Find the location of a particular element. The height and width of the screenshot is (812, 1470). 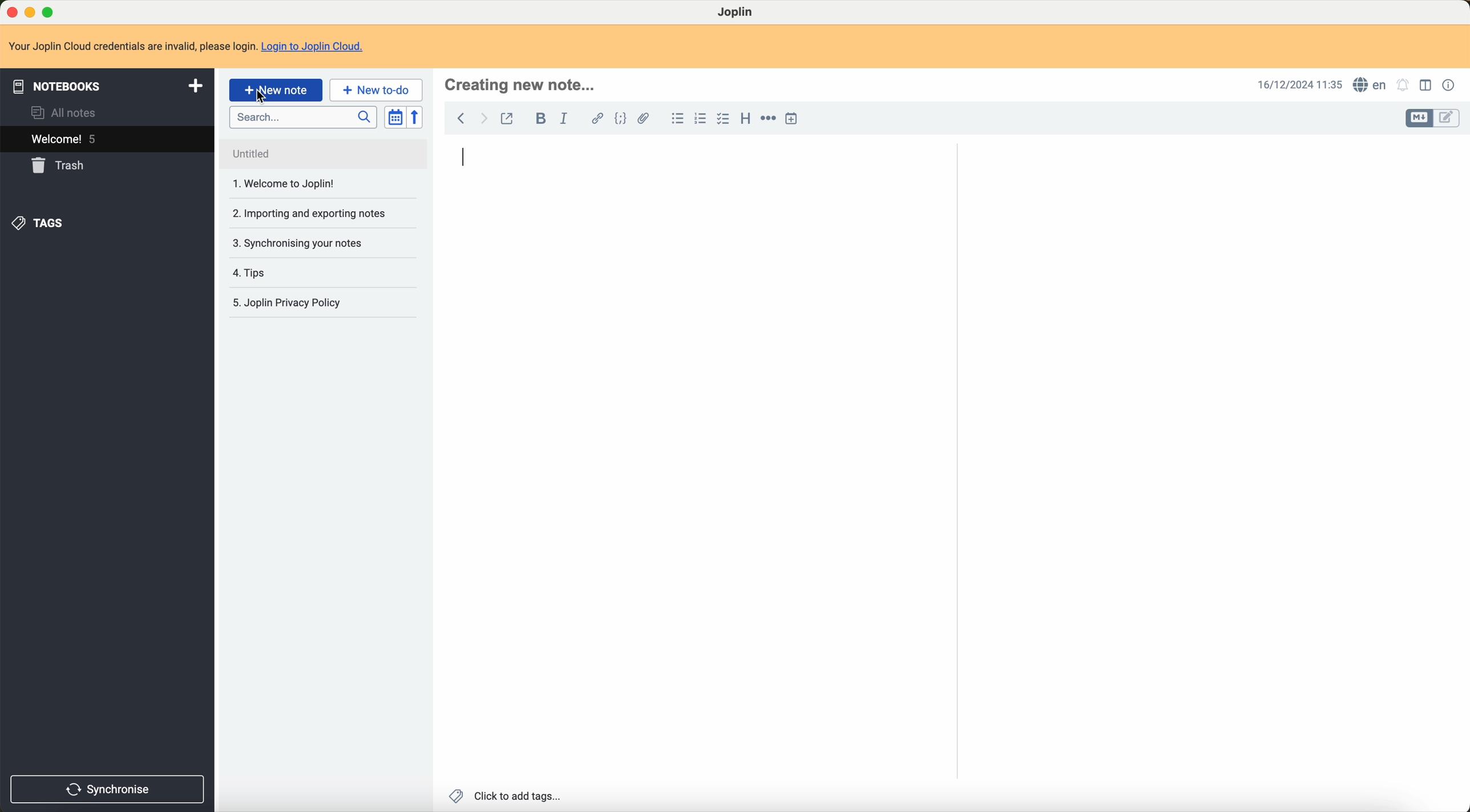

toggle sort order field is located at coordinates (393, 118).